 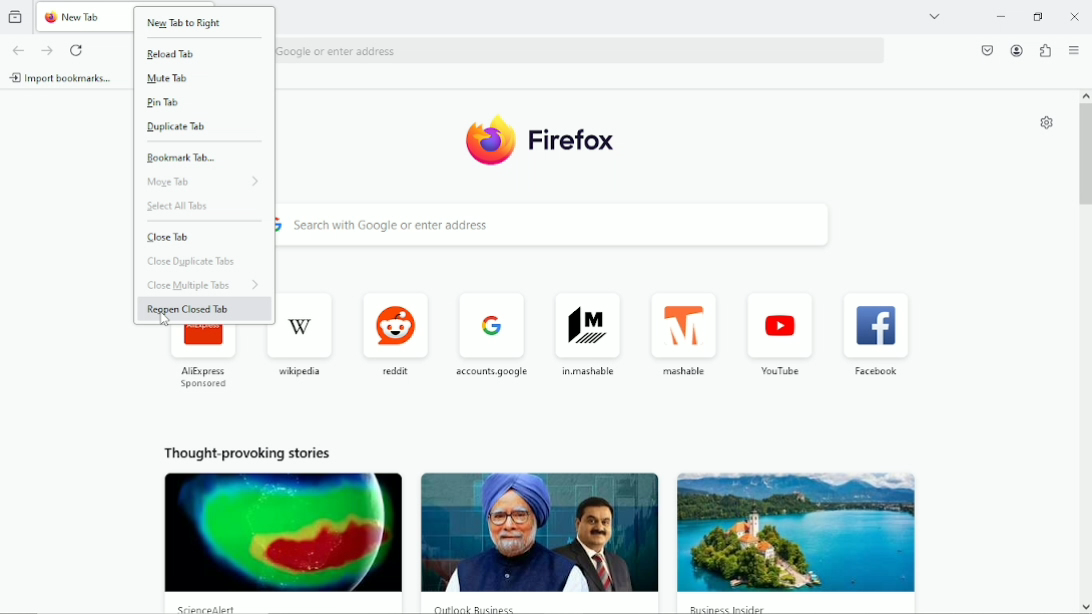 What do you see at coordinates (395, 329) in the screenshot?
I see `reddit` at bounding box center [395, 329].